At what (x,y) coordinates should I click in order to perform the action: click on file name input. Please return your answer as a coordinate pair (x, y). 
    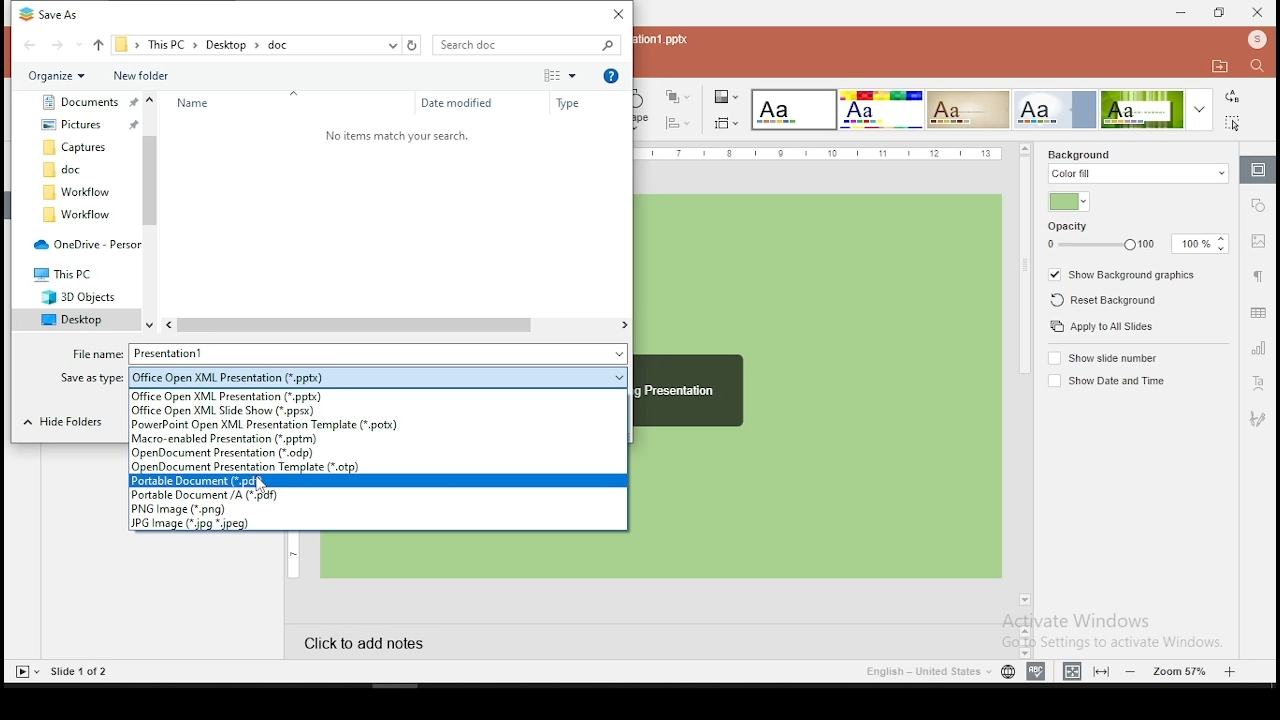
    Looking at the image, I should click on (379, 353).